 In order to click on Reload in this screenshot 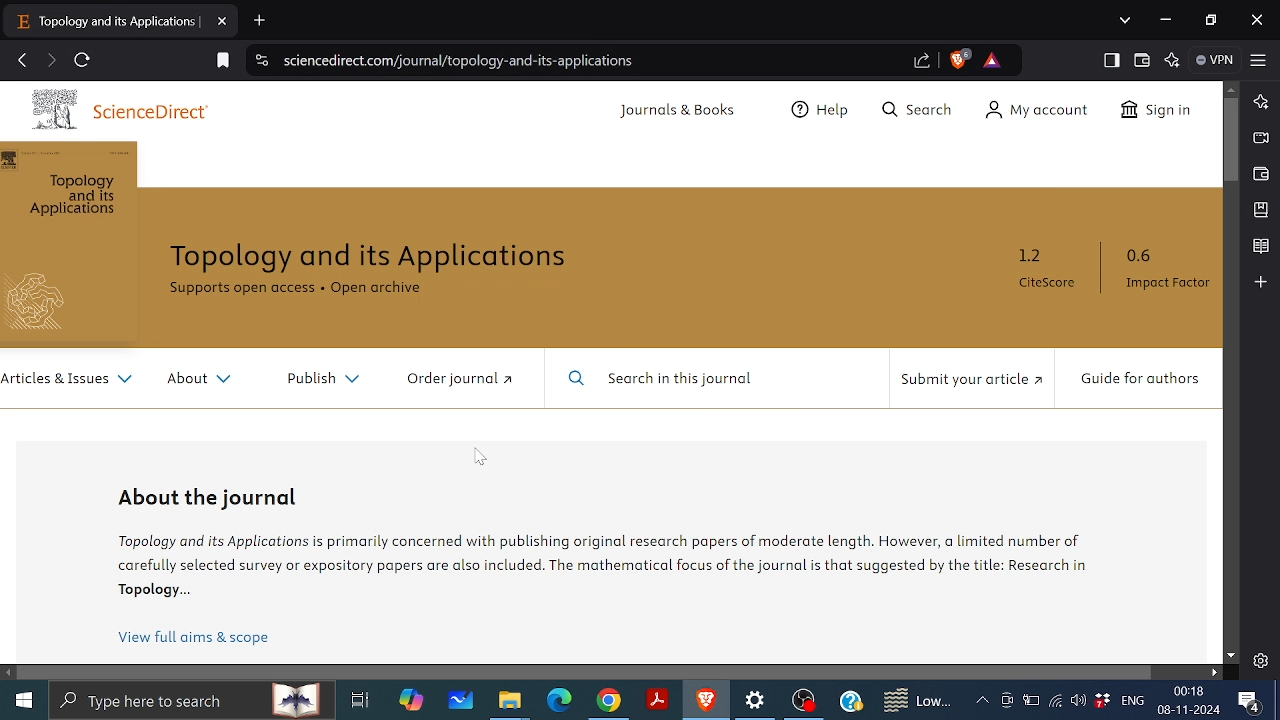, I will do `click(84, 60)`.